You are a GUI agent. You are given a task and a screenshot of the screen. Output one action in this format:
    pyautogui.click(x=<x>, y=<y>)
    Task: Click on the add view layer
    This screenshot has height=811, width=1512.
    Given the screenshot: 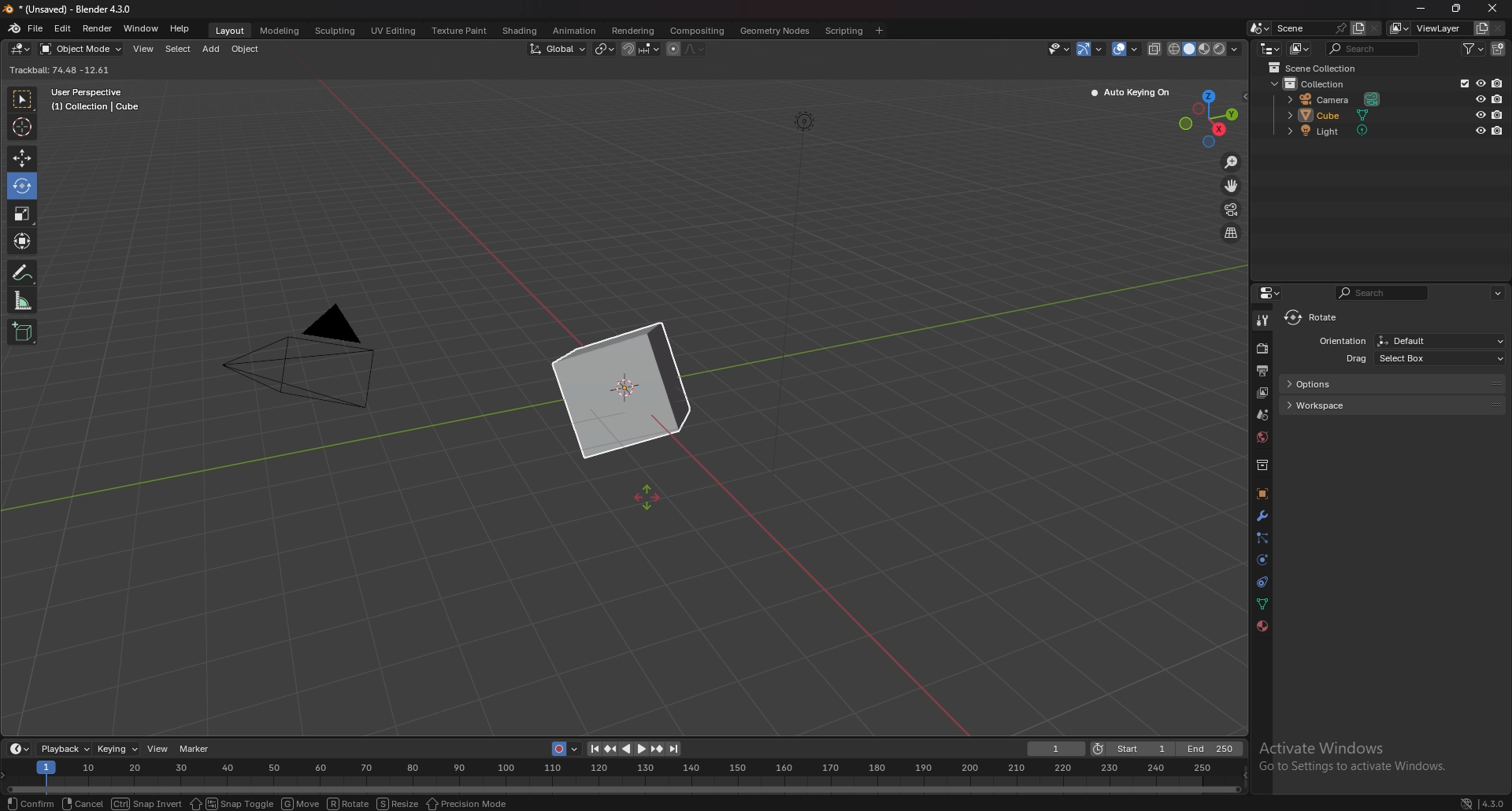 What is the action you would take?
    pyautogui.click(x=1482, y=28)
    